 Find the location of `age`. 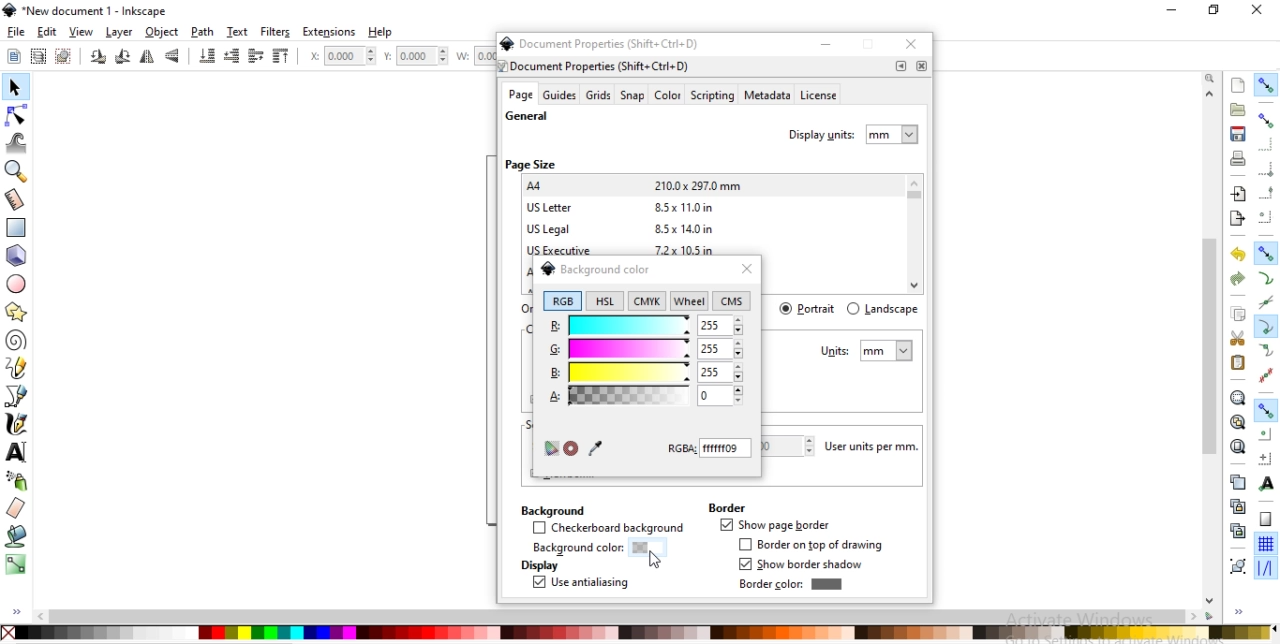

age is located at coordinates (520, 95).